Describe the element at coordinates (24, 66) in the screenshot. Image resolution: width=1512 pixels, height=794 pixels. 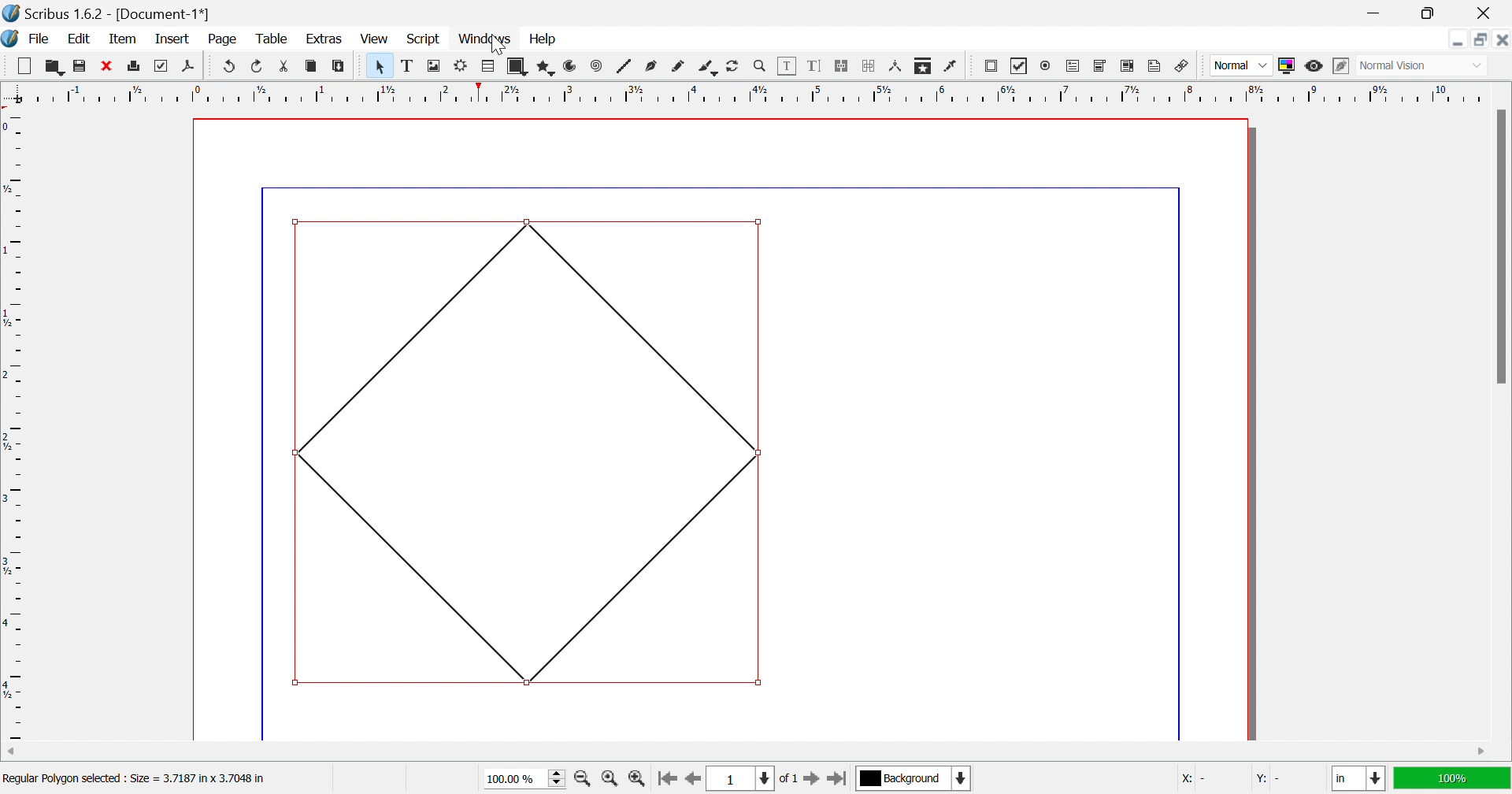
I see `New` at that location.